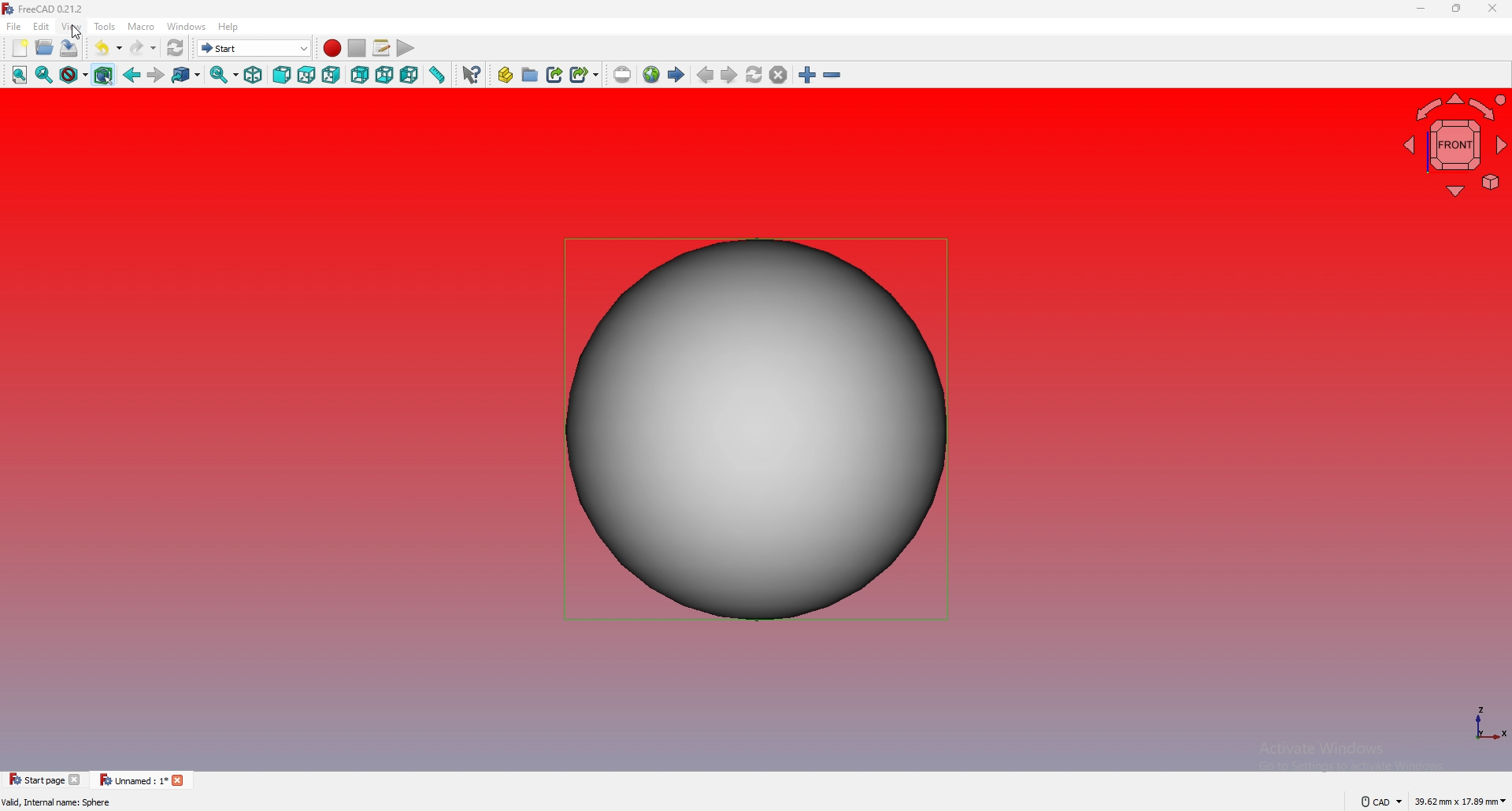  What do you see at coordinates (187, 27) in the screenshot?
I see `windows` at bounding box center [187, 27].